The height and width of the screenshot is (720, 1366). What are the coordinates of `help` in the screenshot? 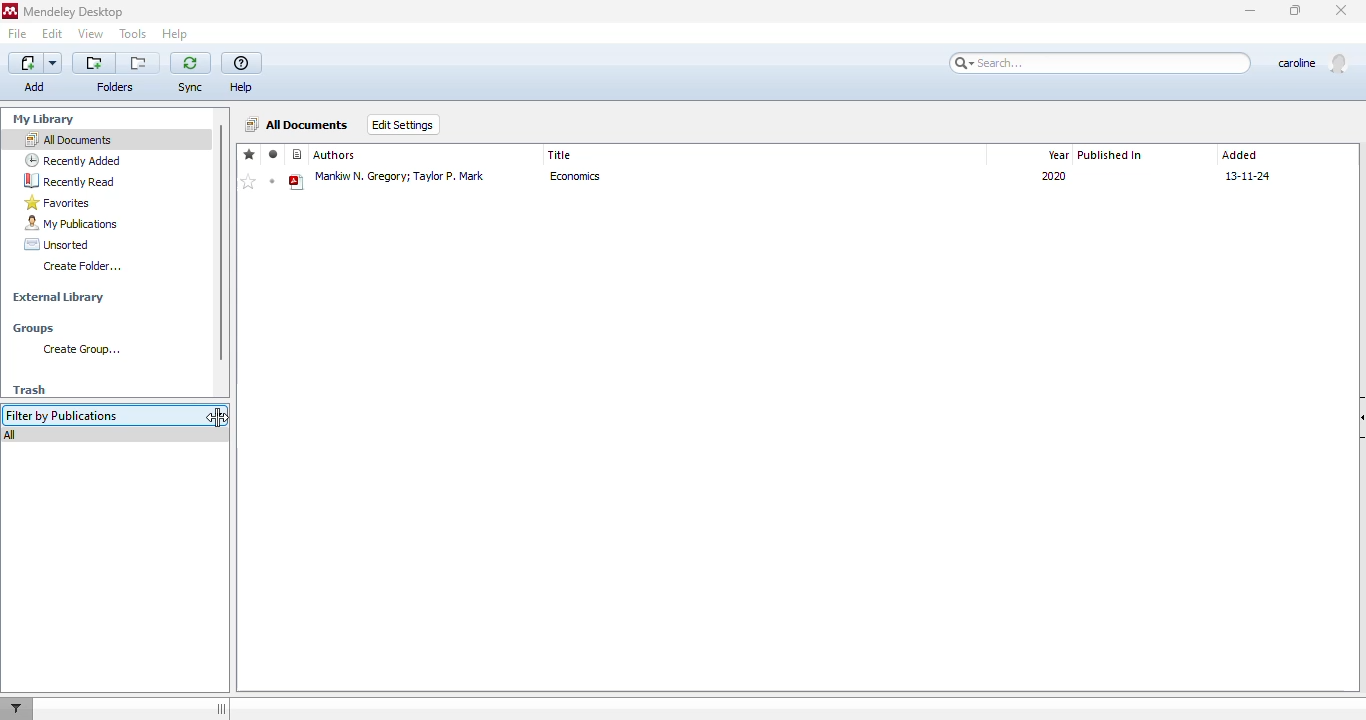 It's located at (175, 33).